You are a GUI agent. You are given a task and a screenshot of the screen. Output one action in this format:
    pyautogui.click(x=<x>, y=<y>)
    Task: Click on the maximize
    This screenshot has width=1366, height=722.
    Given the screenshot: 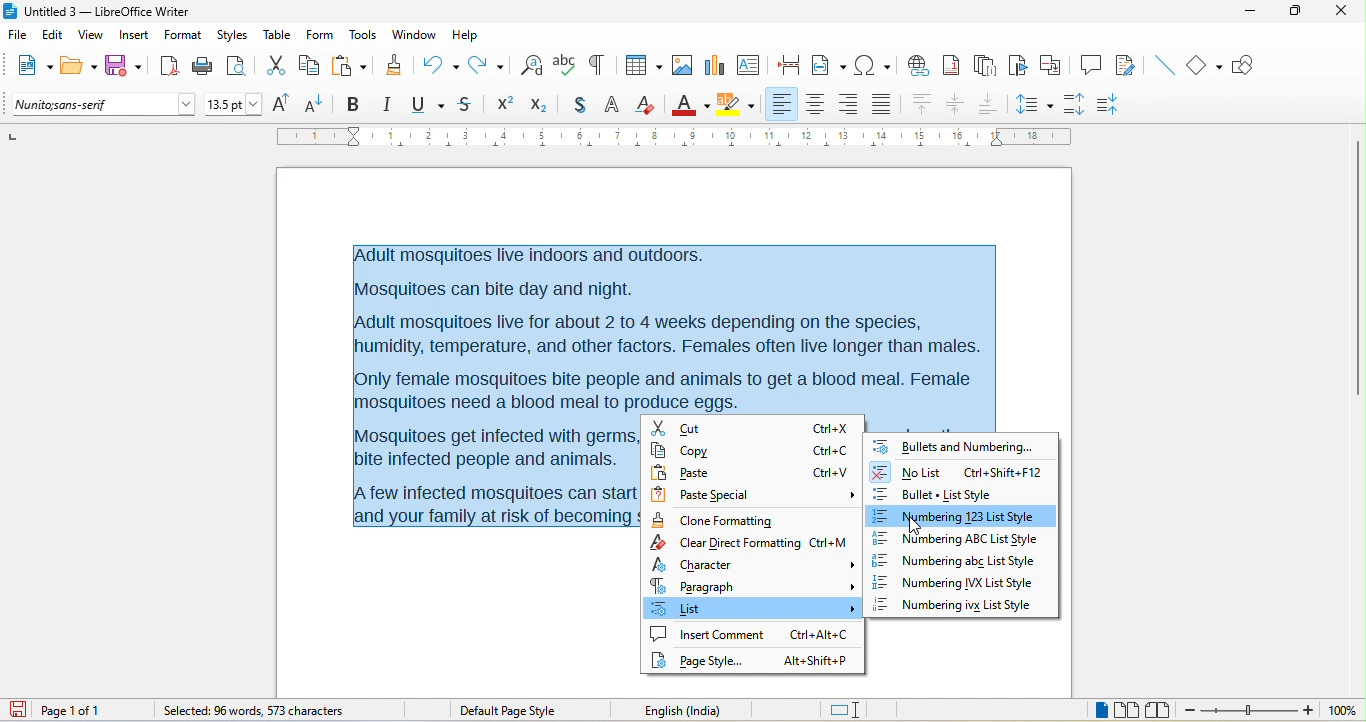 What is the action you would take?
    pyautogui.click(x=1298, y=15)
    